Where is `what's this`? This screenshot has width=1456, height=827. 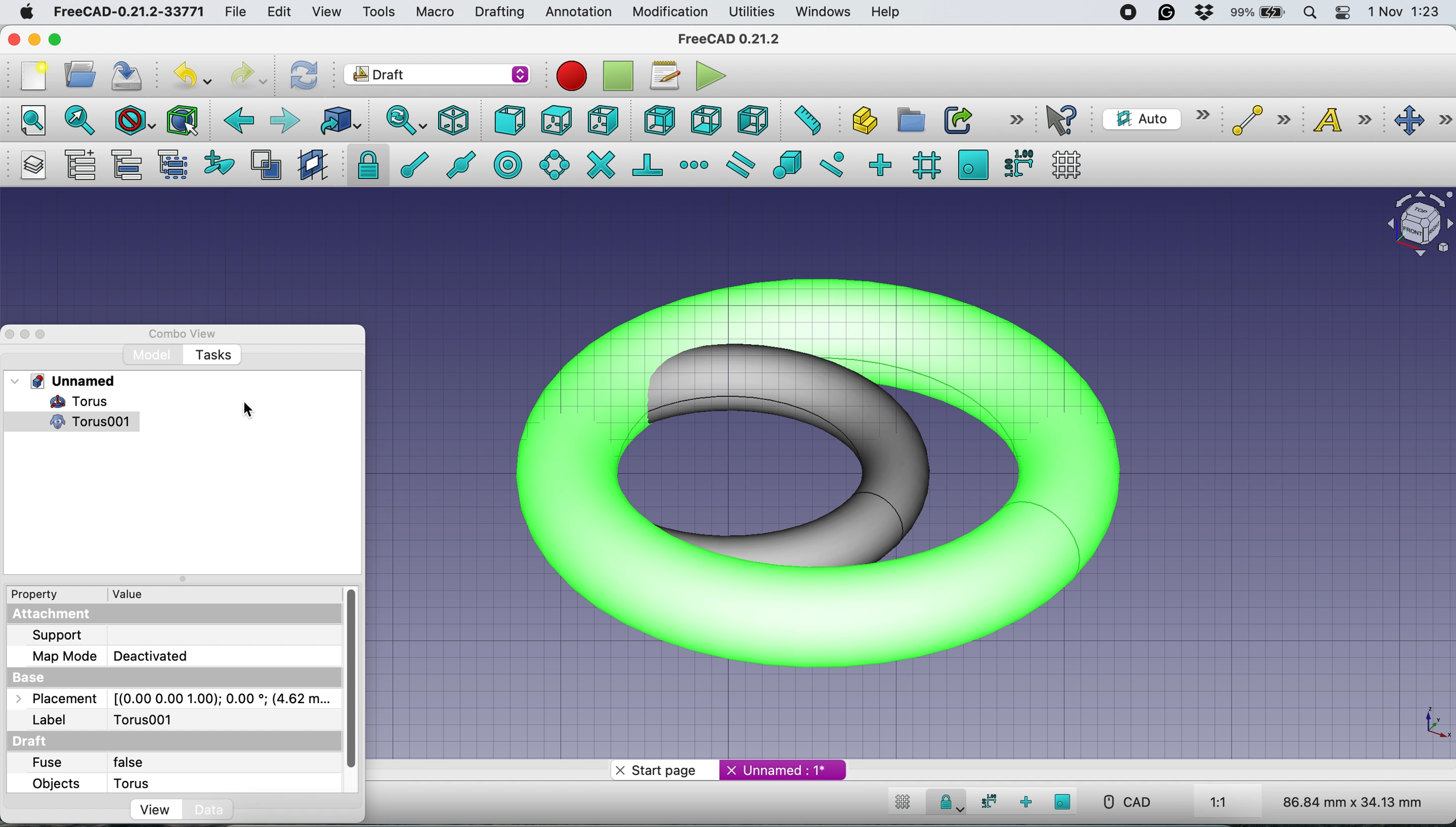 what's this is located at coordinates (1065, 120).